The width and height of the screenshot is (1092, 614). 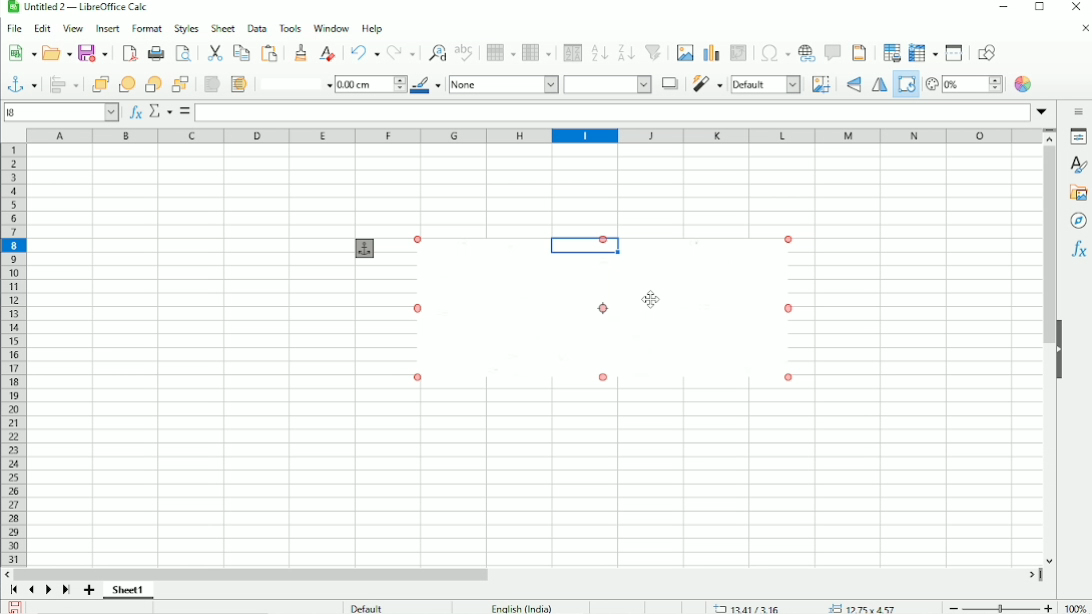 I want to click on Styles, so click(x=1078, y=165).